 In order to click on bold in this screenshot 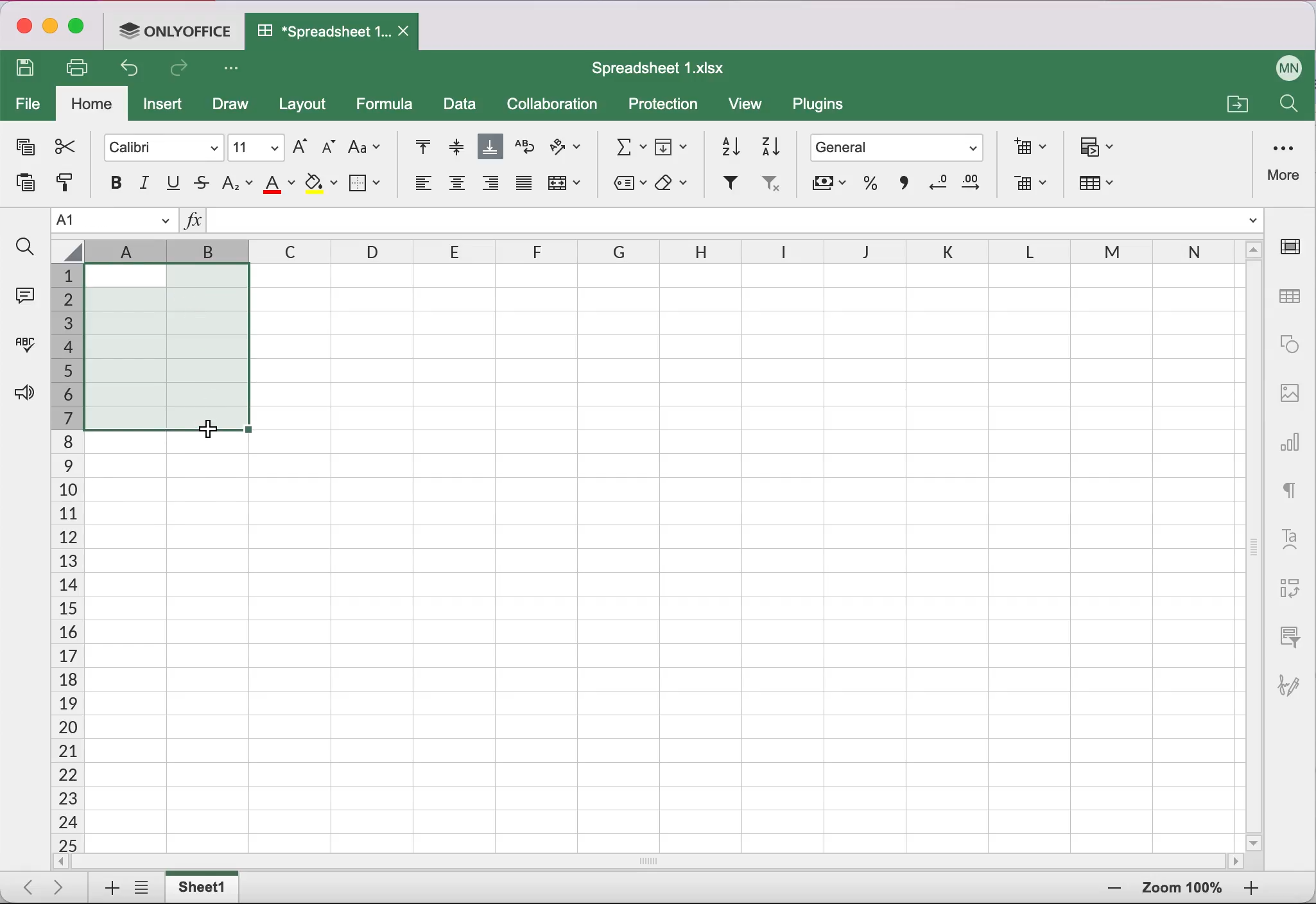, I will do `click(109, 182)`.